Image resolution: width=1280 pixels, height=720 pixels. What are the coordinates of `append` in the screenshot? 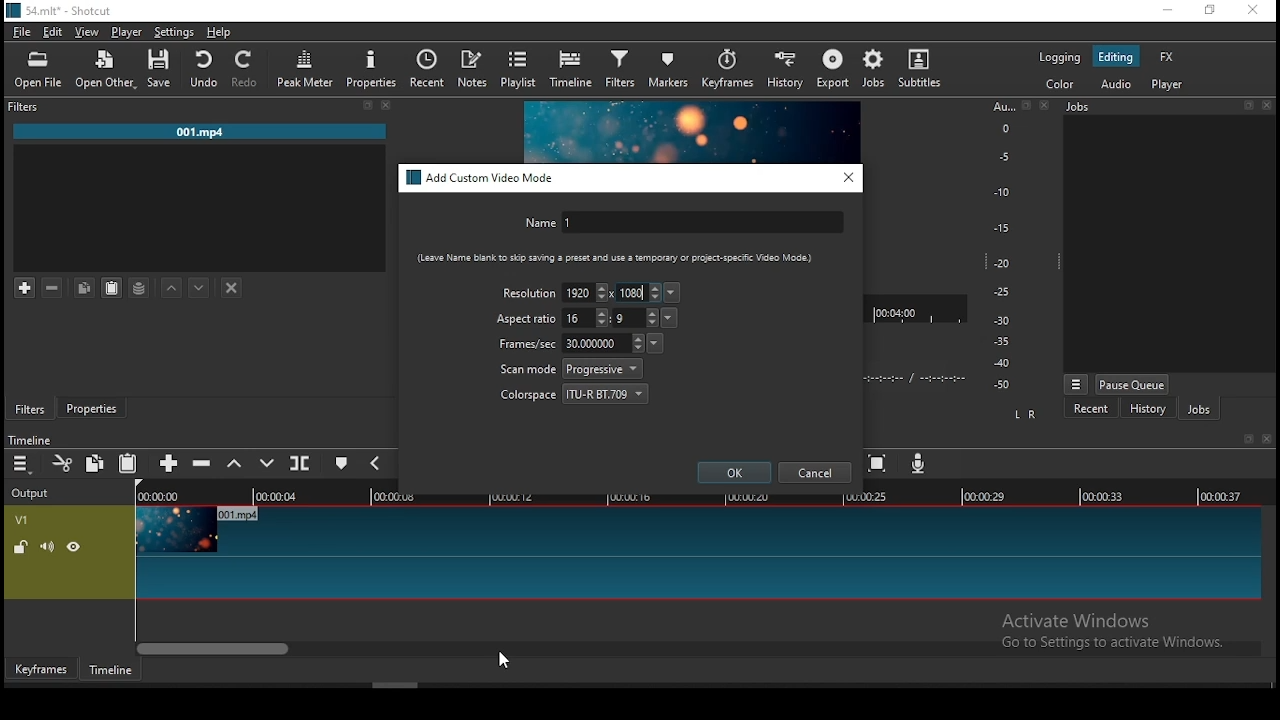 It's located at (170, 465).